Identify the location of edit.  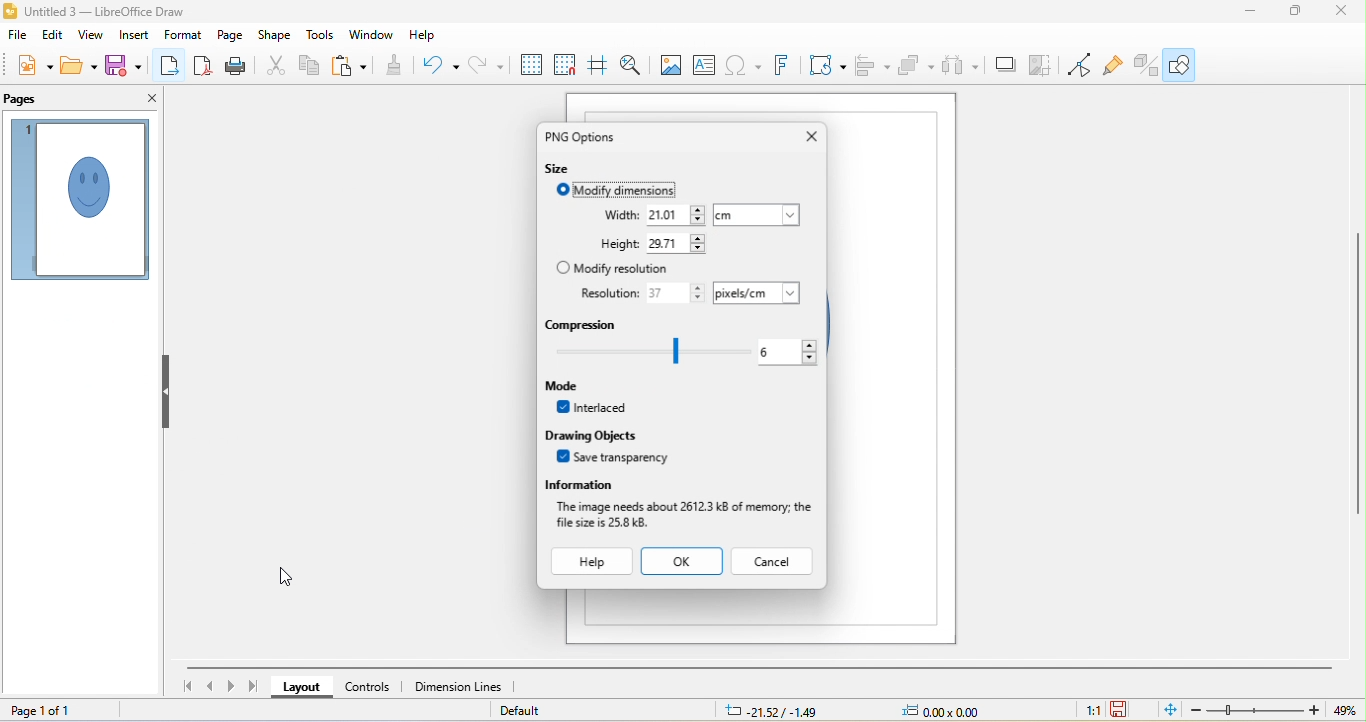
(53, 36).